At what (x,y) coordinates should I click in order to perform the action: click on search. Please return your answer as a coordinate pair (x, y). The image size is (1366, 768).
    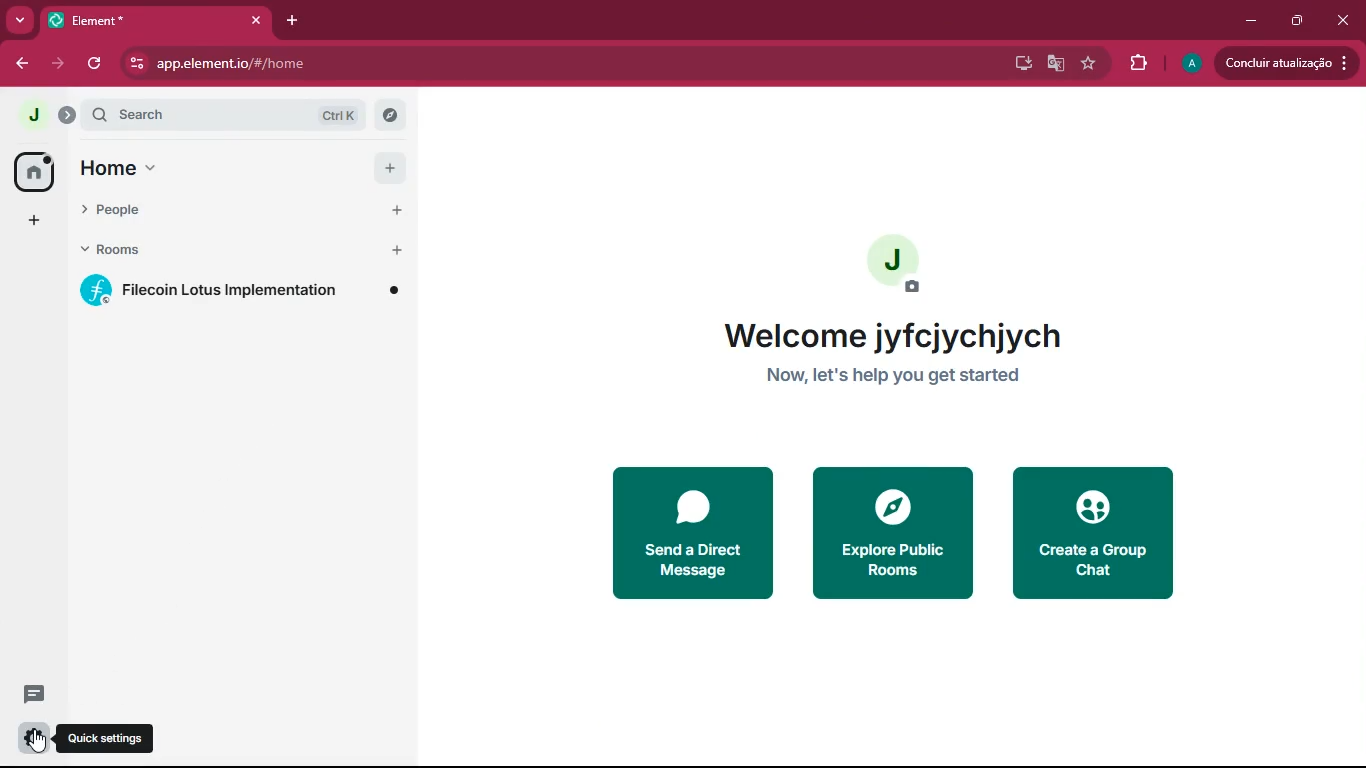
    Looking at the image, I should click on (230, 116).